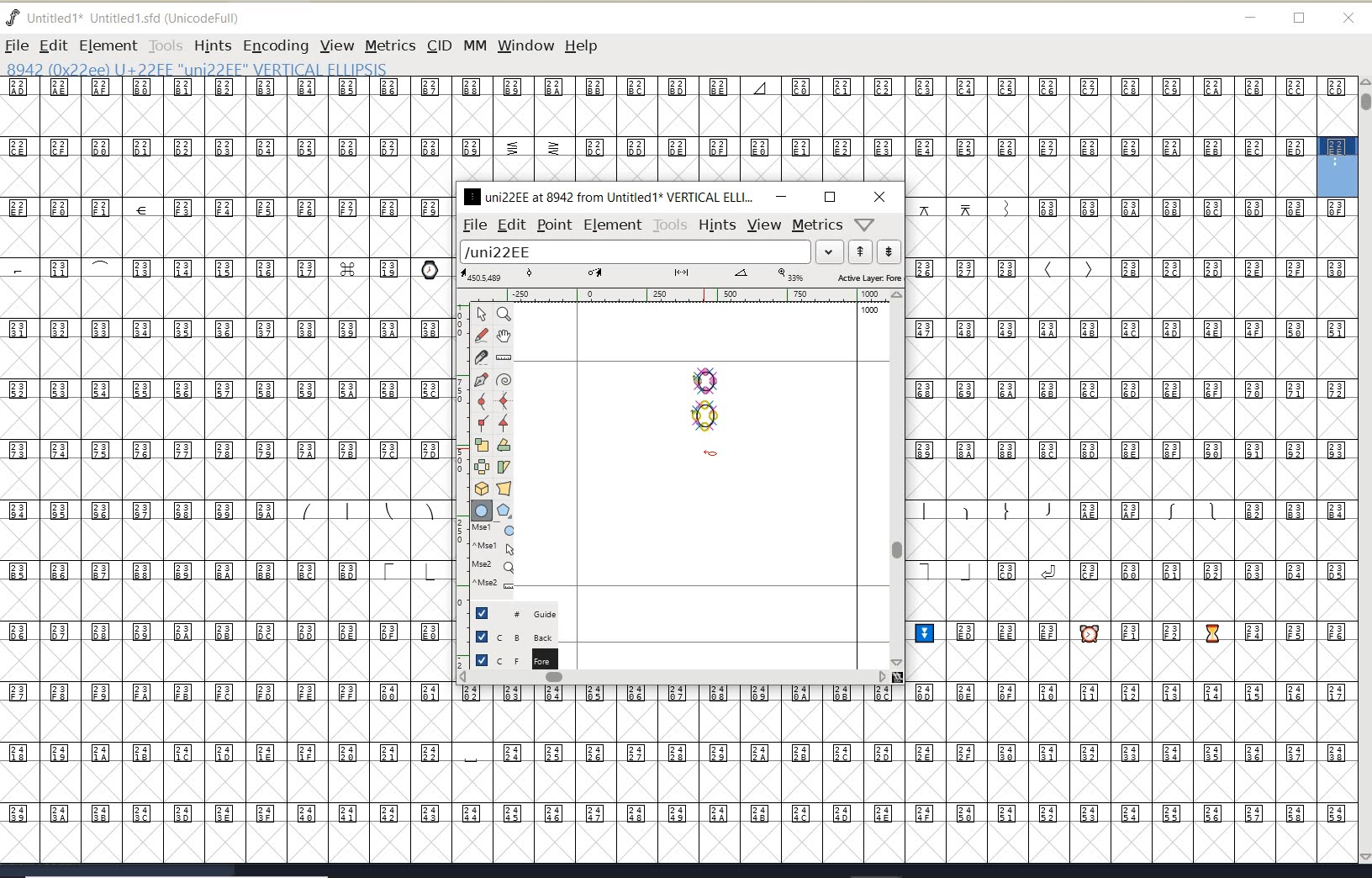 The image size is (1372, 878). Describe the element at coordinates (16, 45) in the screenshot. I see `FILE` at that location.